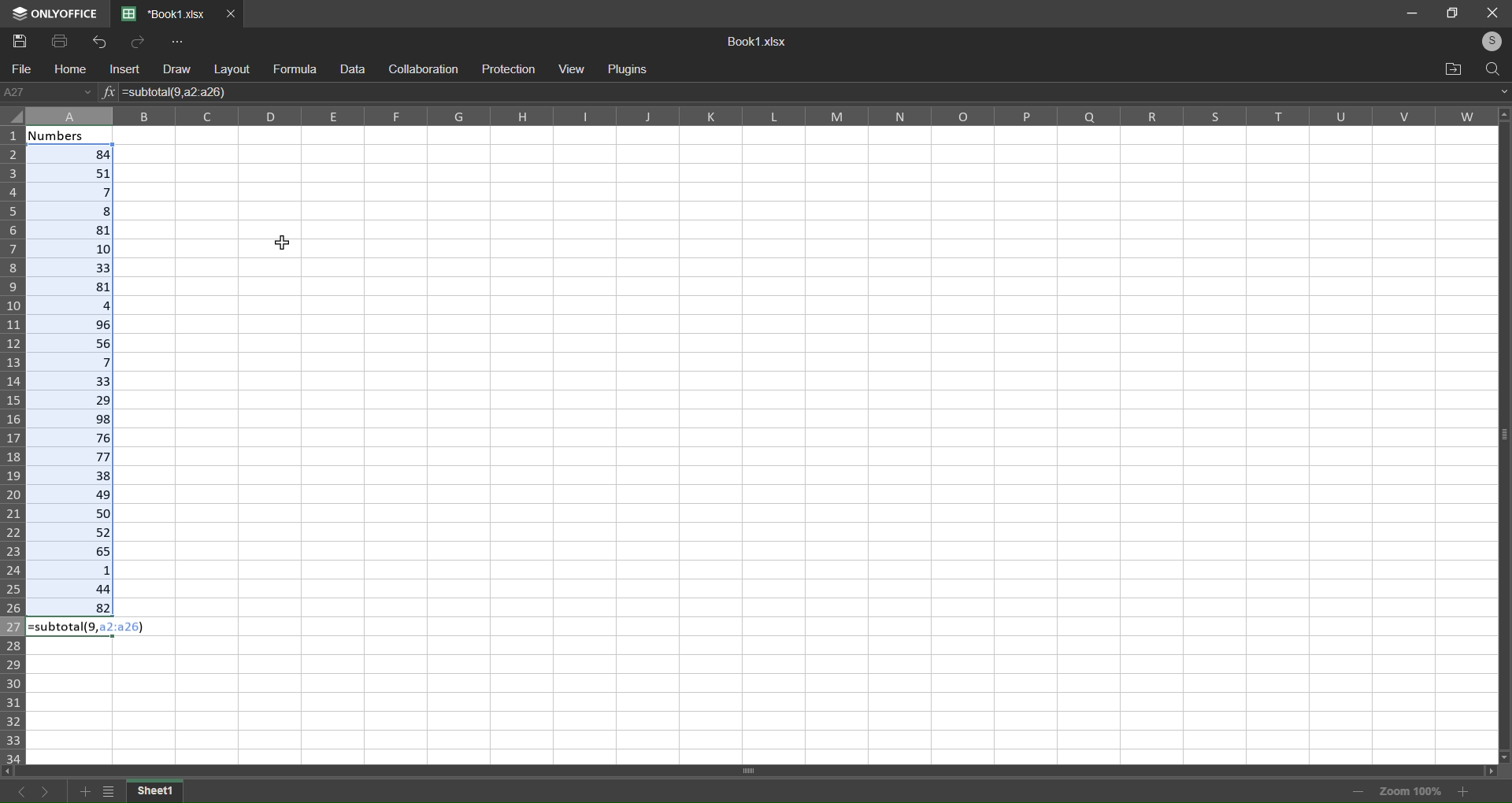 The image size is (1512, 803). I want to click on close, so click(1494, 13).